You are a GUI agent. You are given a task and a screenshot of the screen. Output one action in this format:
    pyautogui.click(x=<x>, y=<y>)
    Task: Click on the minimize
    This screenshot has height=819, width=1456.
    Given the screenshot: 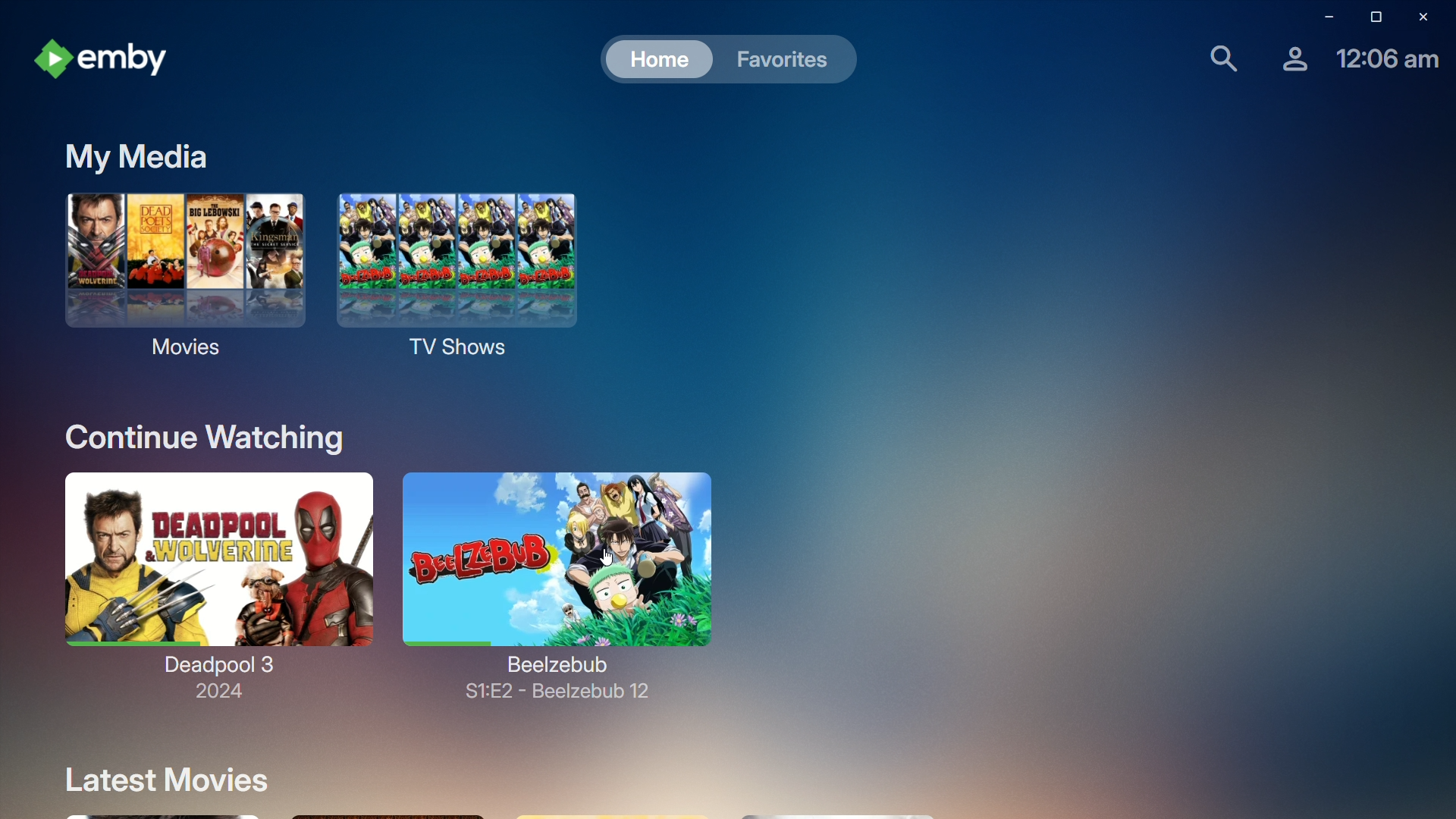 What is the action you would take?
    pyautogui.click(x=1318, y=19)
    